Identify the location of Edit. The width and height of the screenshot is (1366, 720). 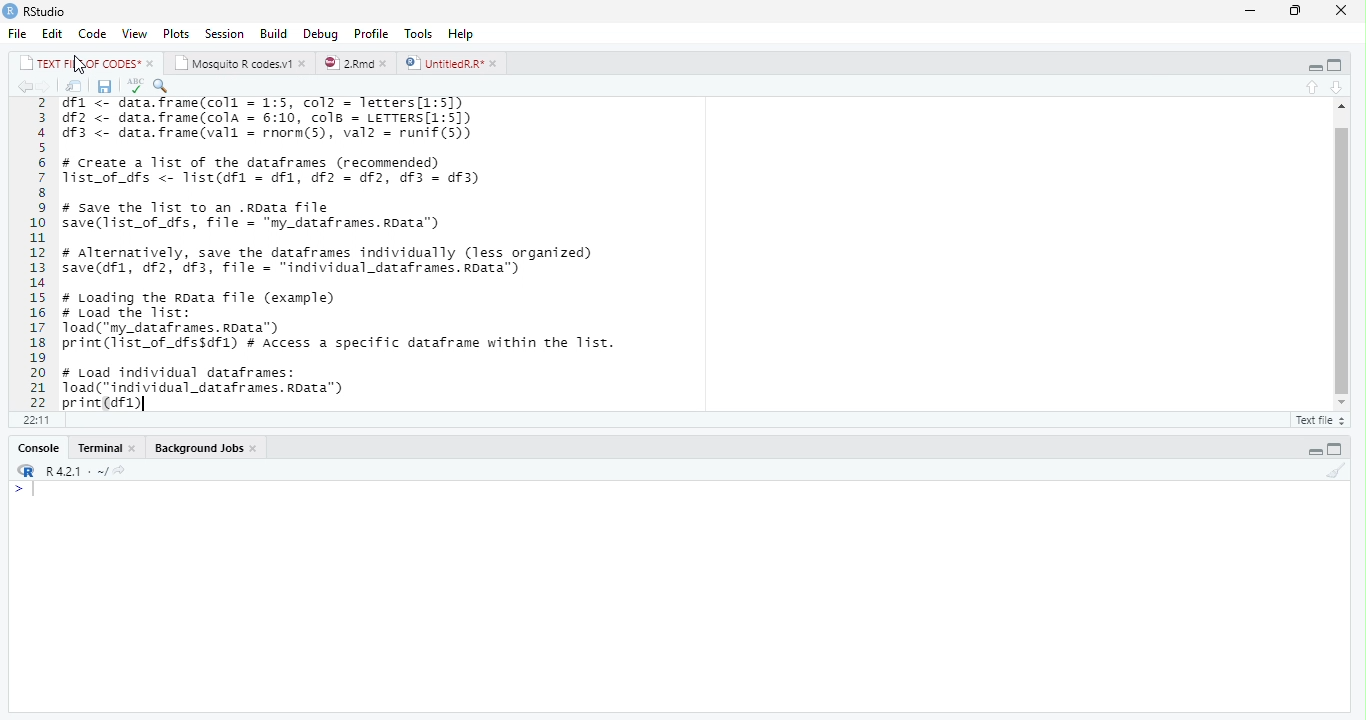
(53, 33).